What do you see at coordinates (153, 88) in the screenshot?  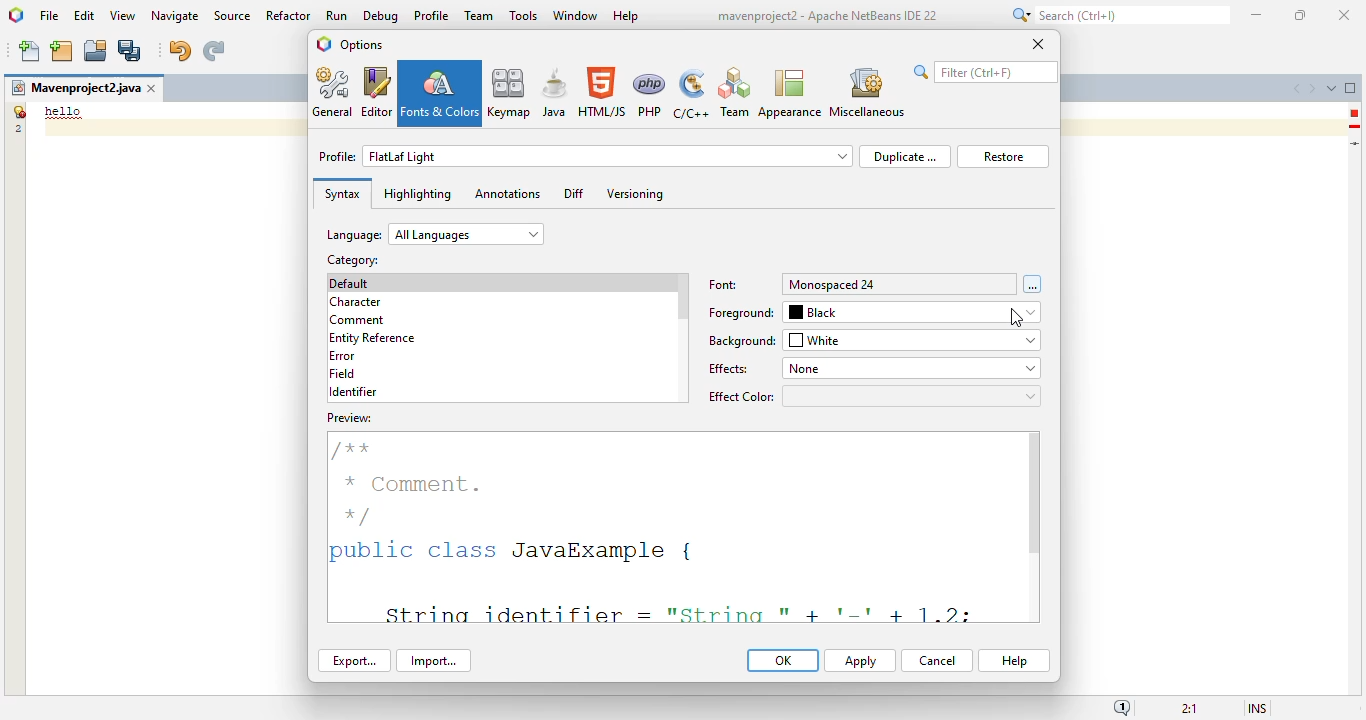 I see `close window` at bounding box center [153, 88].